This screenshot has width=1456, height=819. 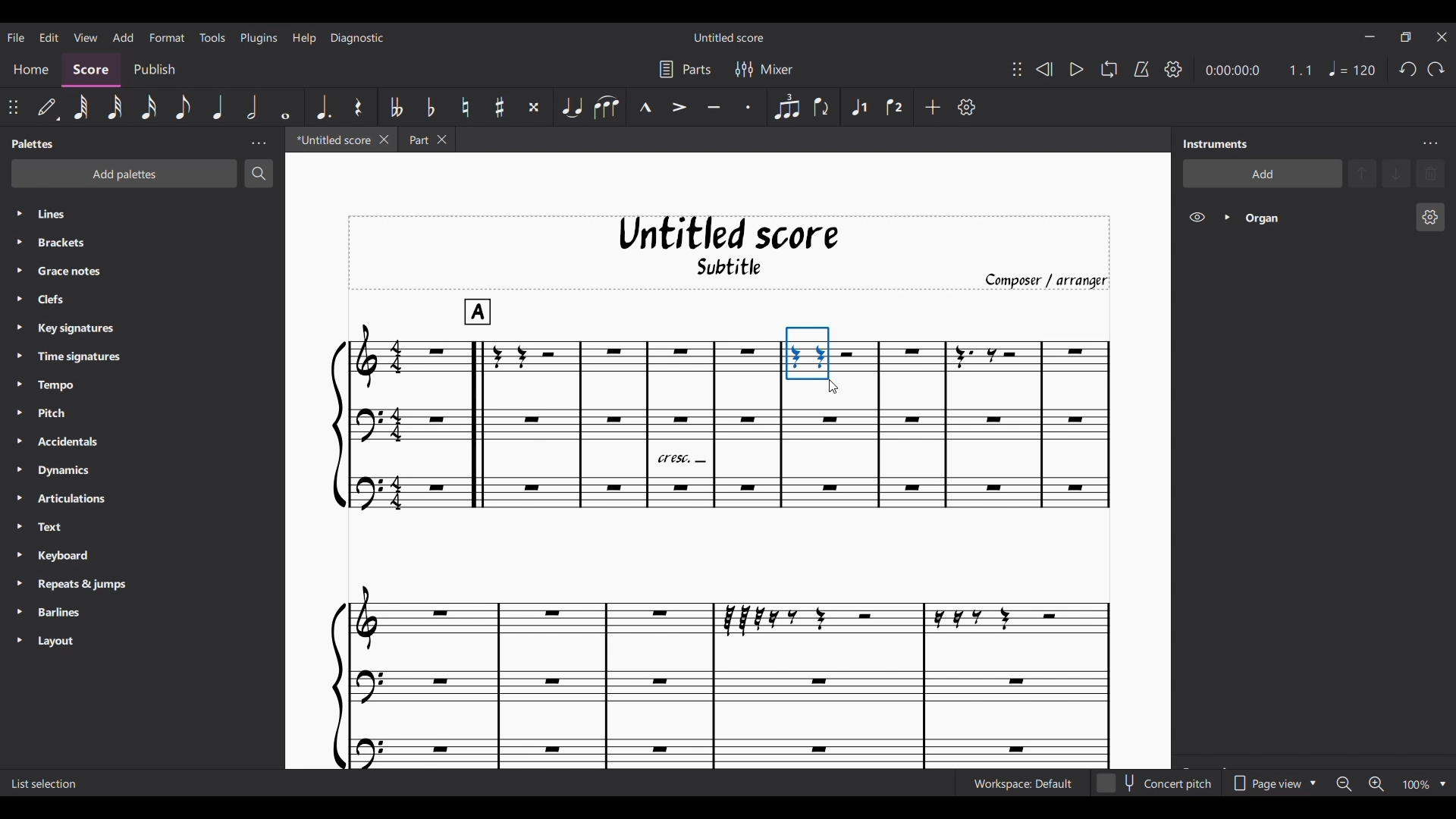 What do you see at coordinates (821, 108) in the screenshot?
I see `Flip direction` at bounding box center [821, 108].